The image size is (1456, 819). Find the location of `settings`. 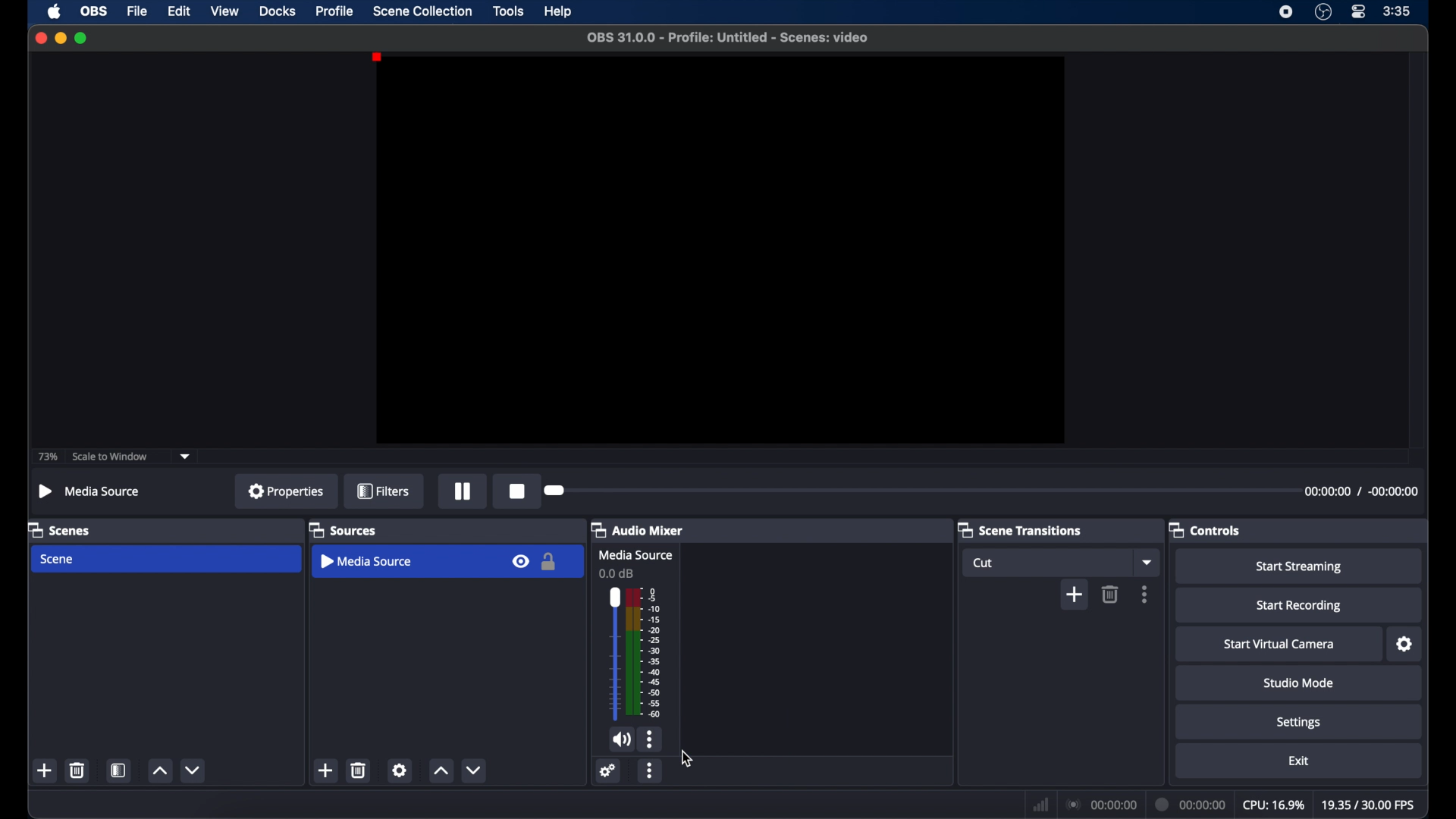

settings is located at coordinates (1298, 723).